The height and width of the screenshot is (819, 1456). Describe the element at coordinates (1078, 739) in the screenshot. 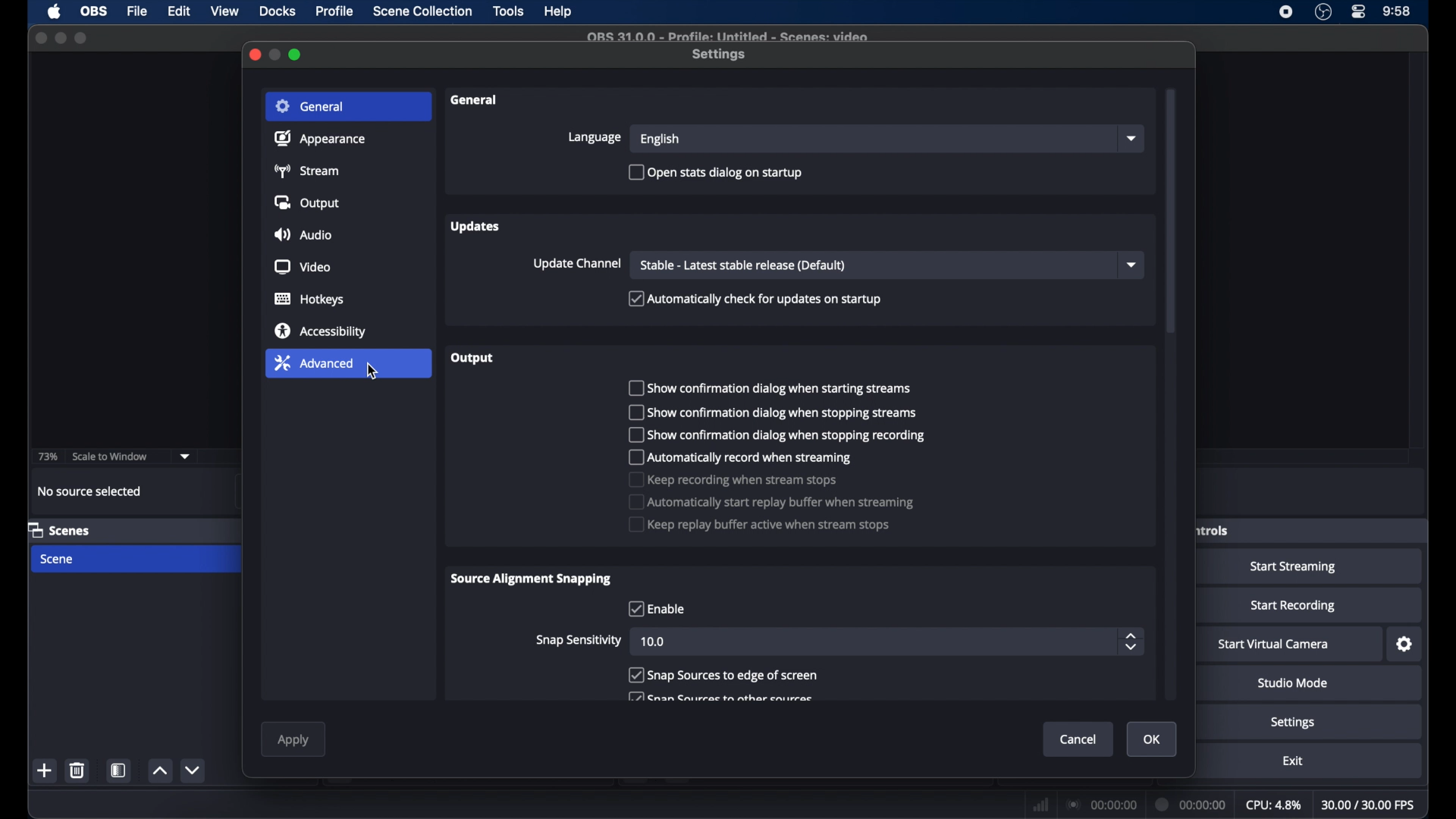

I see `cancel` at that location.